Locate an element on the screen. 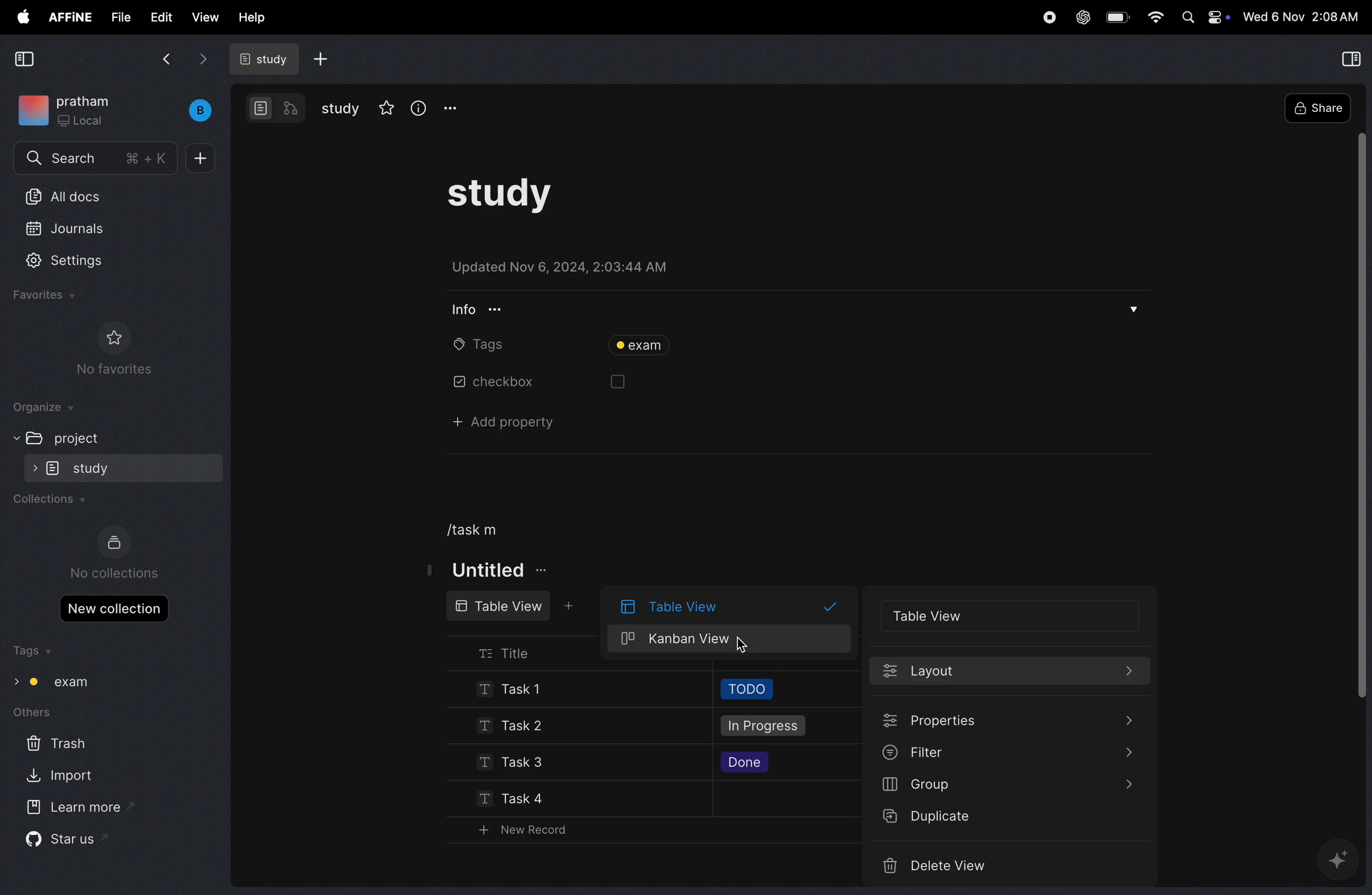 This screenshot has height=895, width=1372. view is located at coordinates (205, 18).